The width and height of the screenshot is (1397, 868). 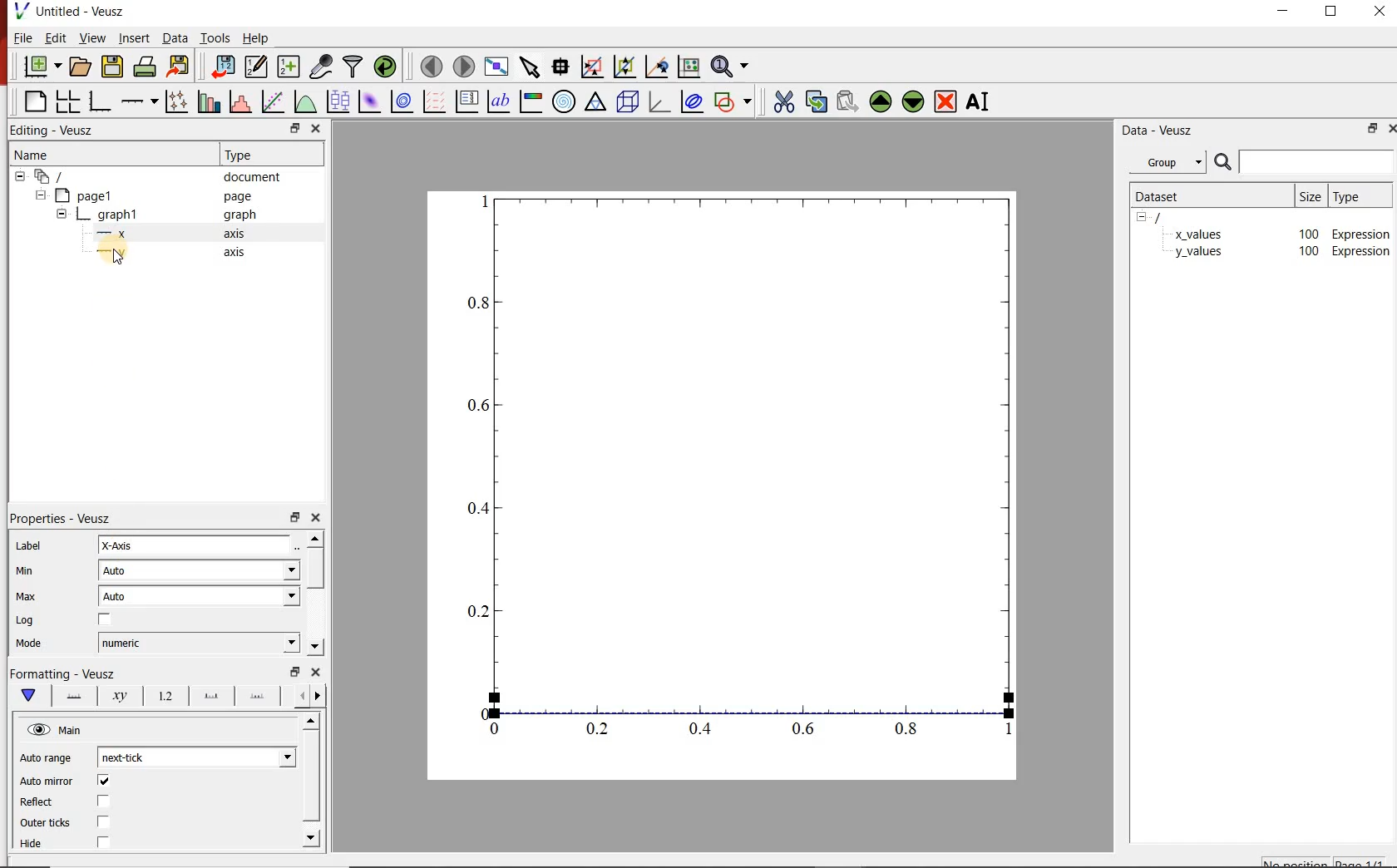 I want to click on zoom functions menu, so click(x=730, y=68).